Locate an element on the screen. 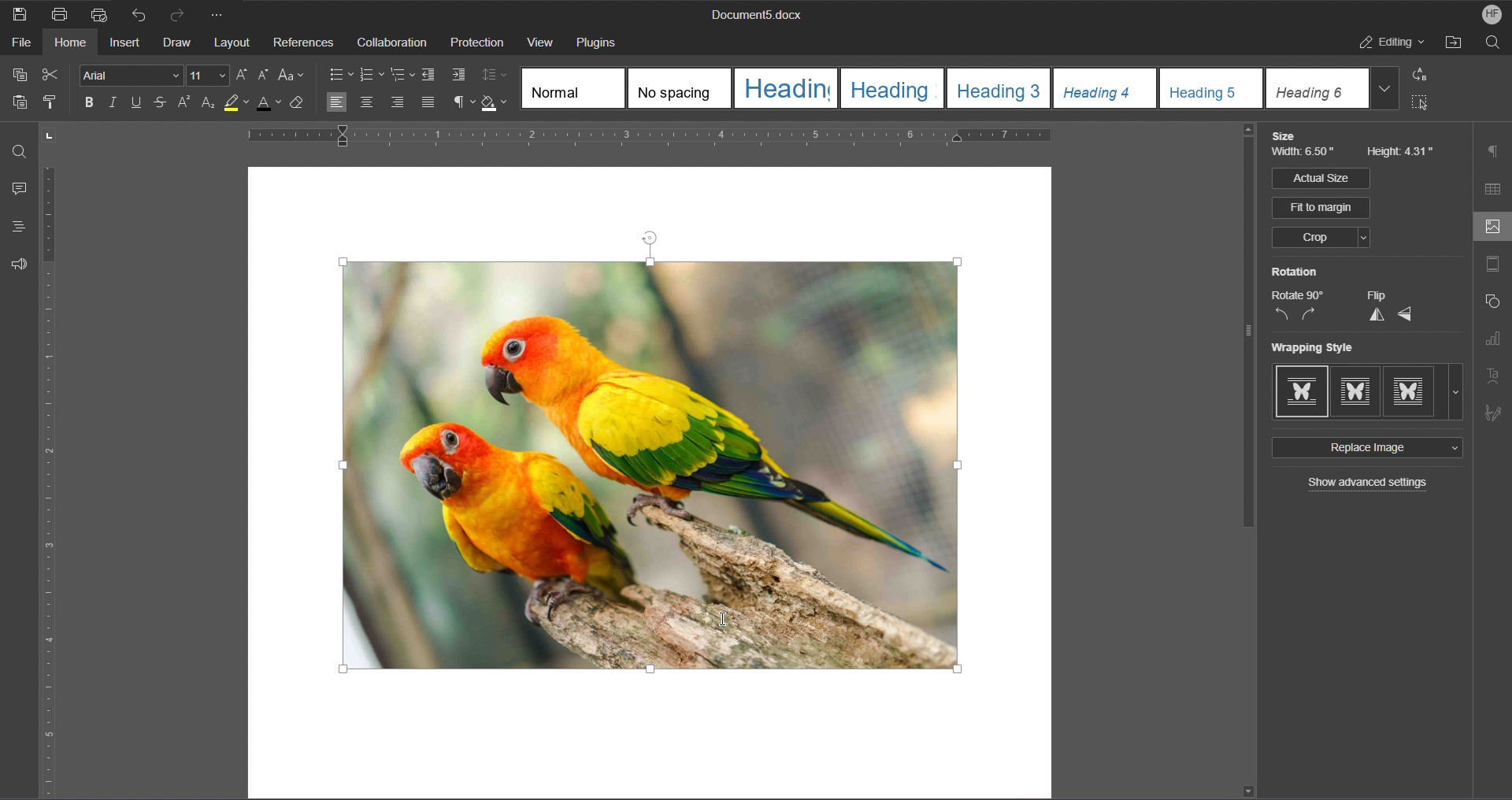 The image size is (1512, 800). Editing is located at coordinates (1393, 45).